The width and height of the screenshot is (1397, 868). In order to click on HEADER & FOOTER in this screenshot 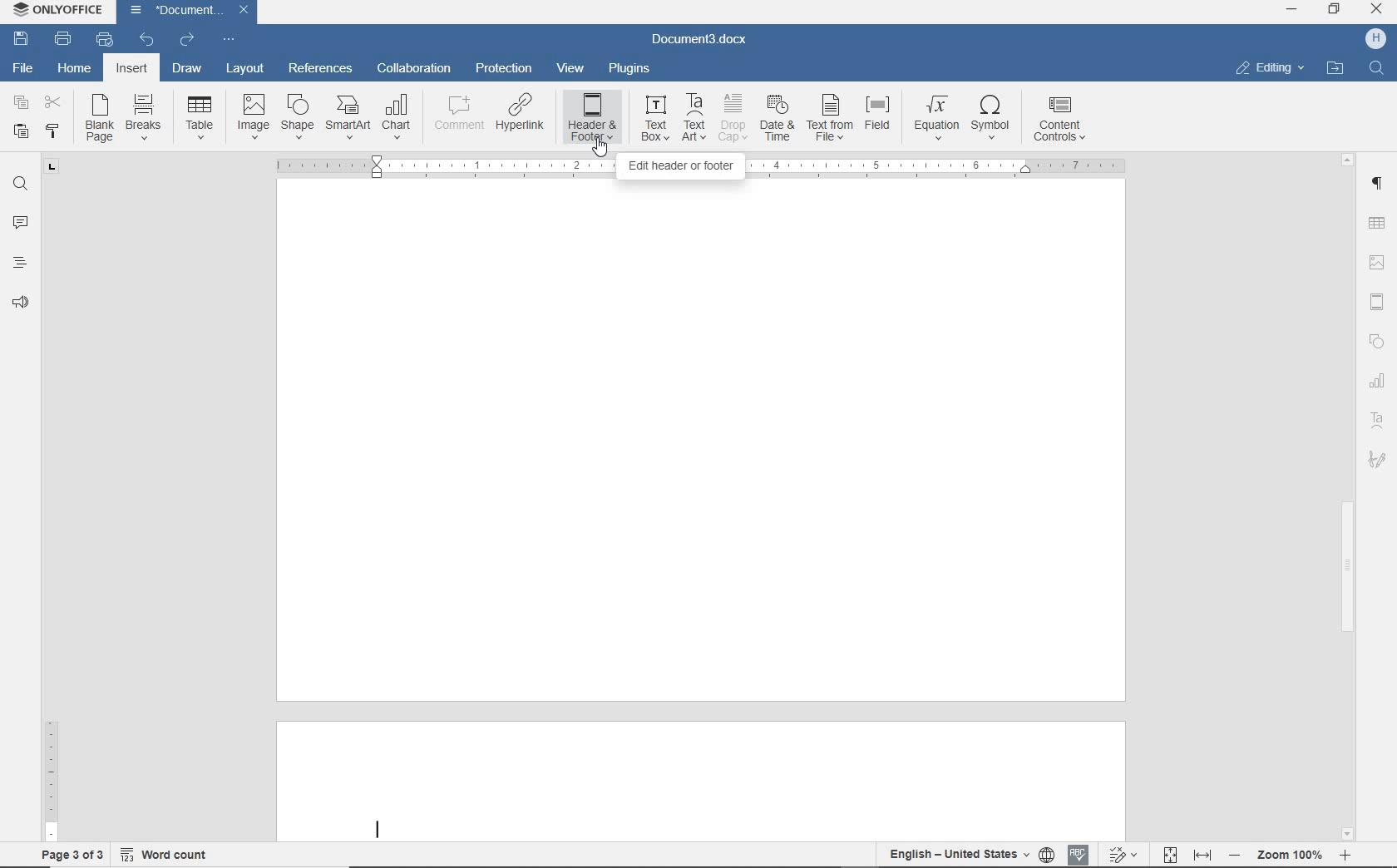, I will do `click(1380, 303)`.